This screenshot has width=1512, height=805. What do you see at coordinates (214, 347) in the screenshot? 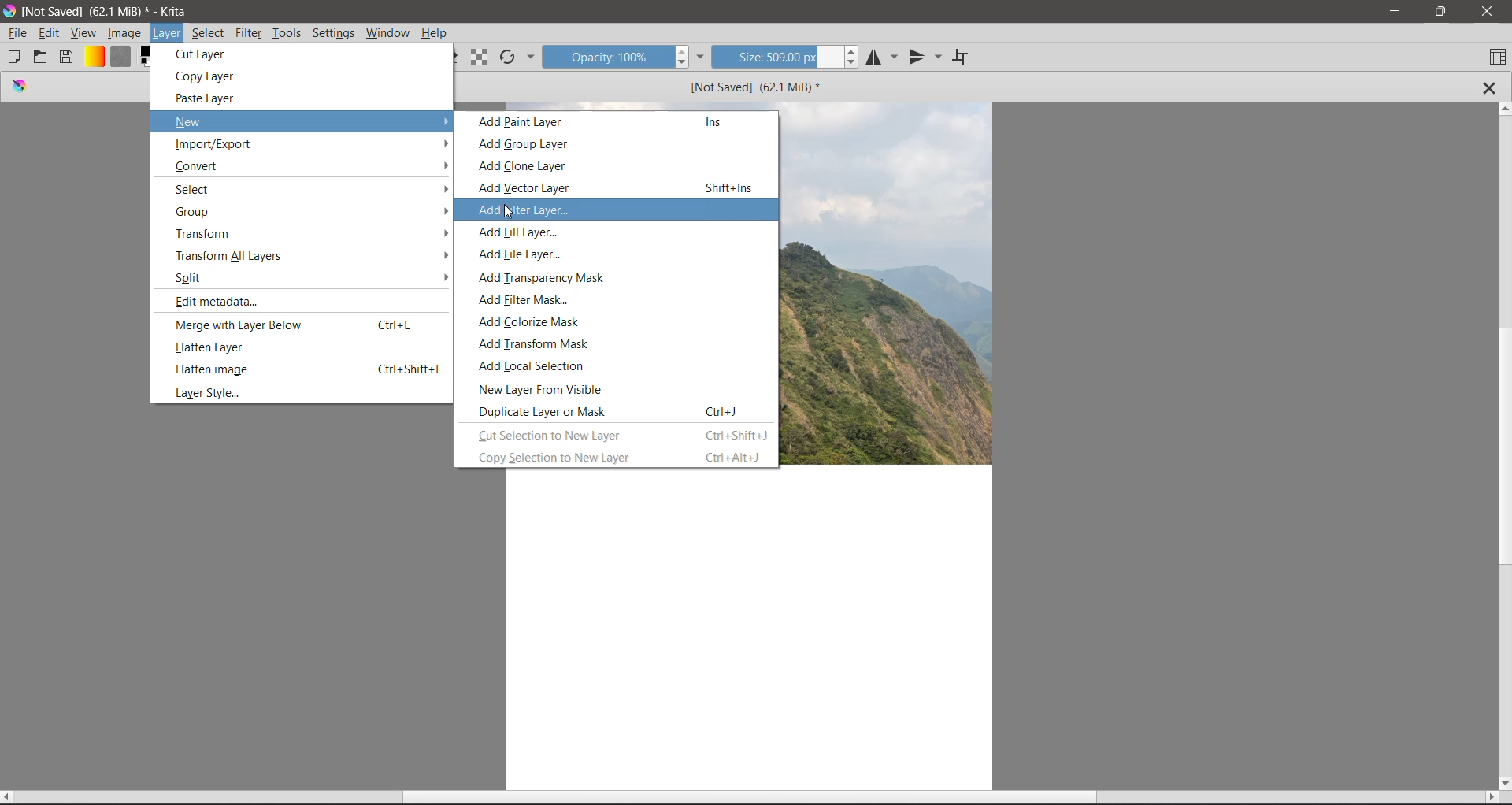
I see `Flatten Layer` at bounding box center [214, 347].